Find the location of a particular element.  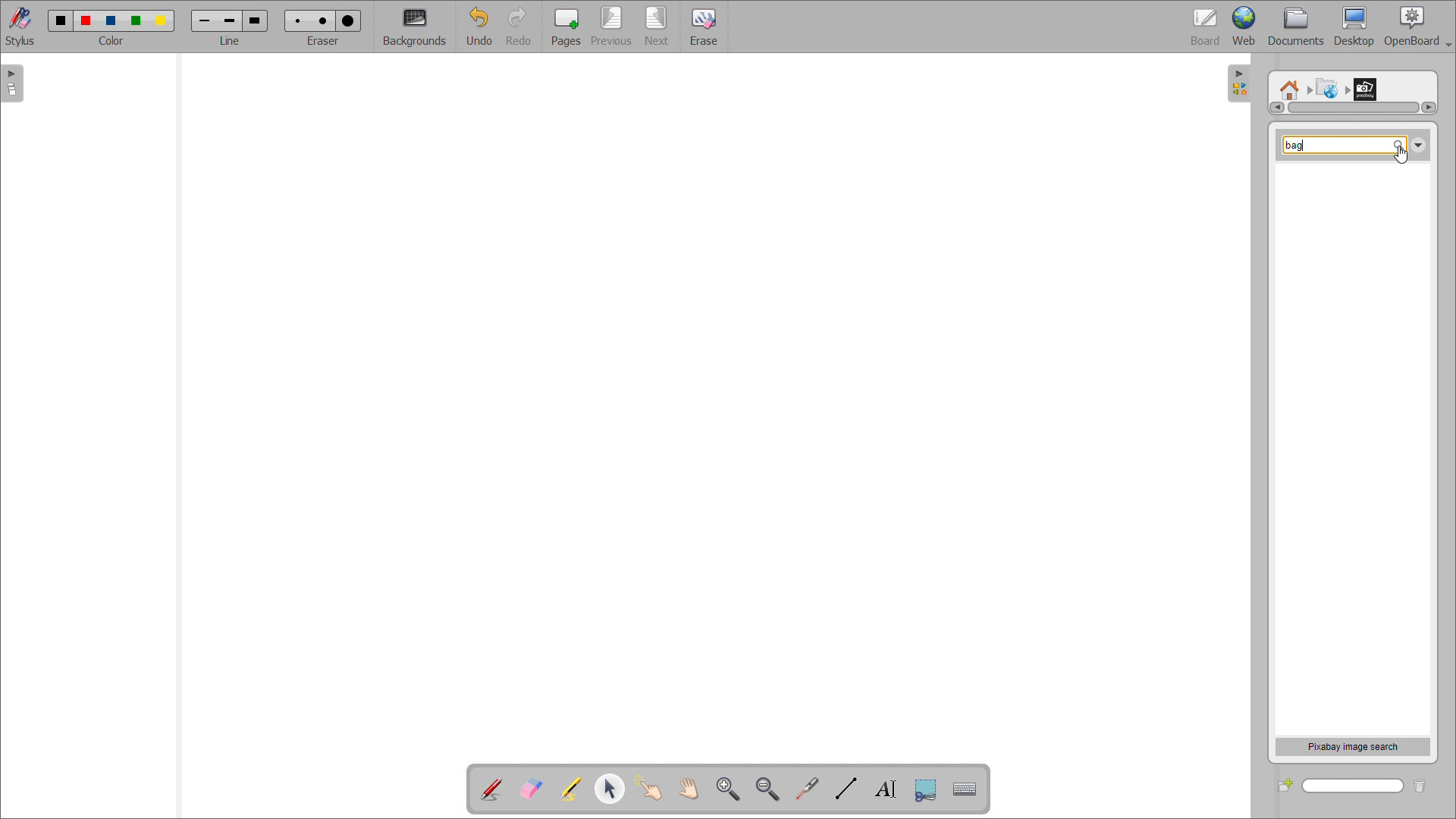

previous page is located at coordinates (611, 26).